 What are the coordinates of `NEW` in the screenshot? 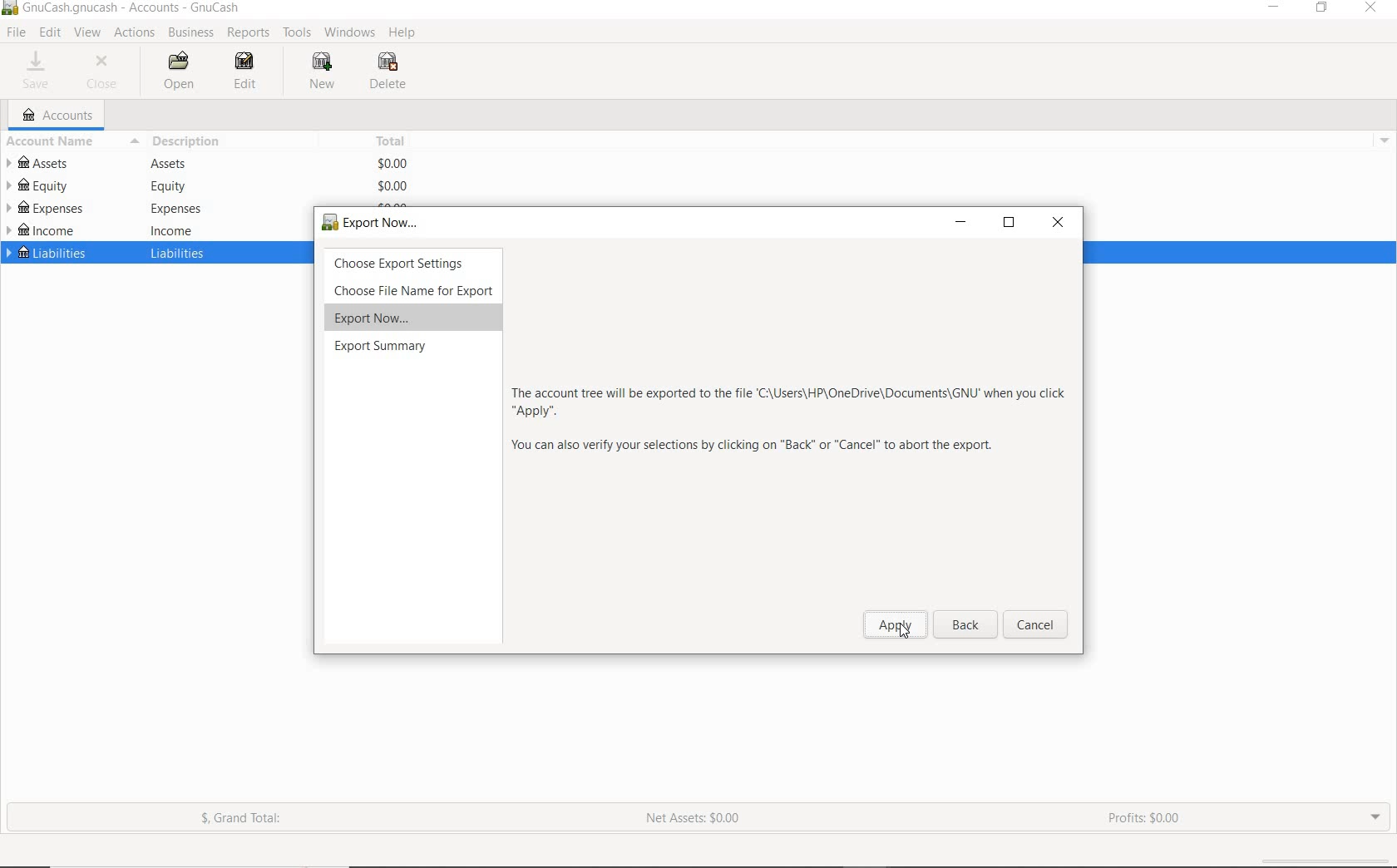 It's located at (321, 74).